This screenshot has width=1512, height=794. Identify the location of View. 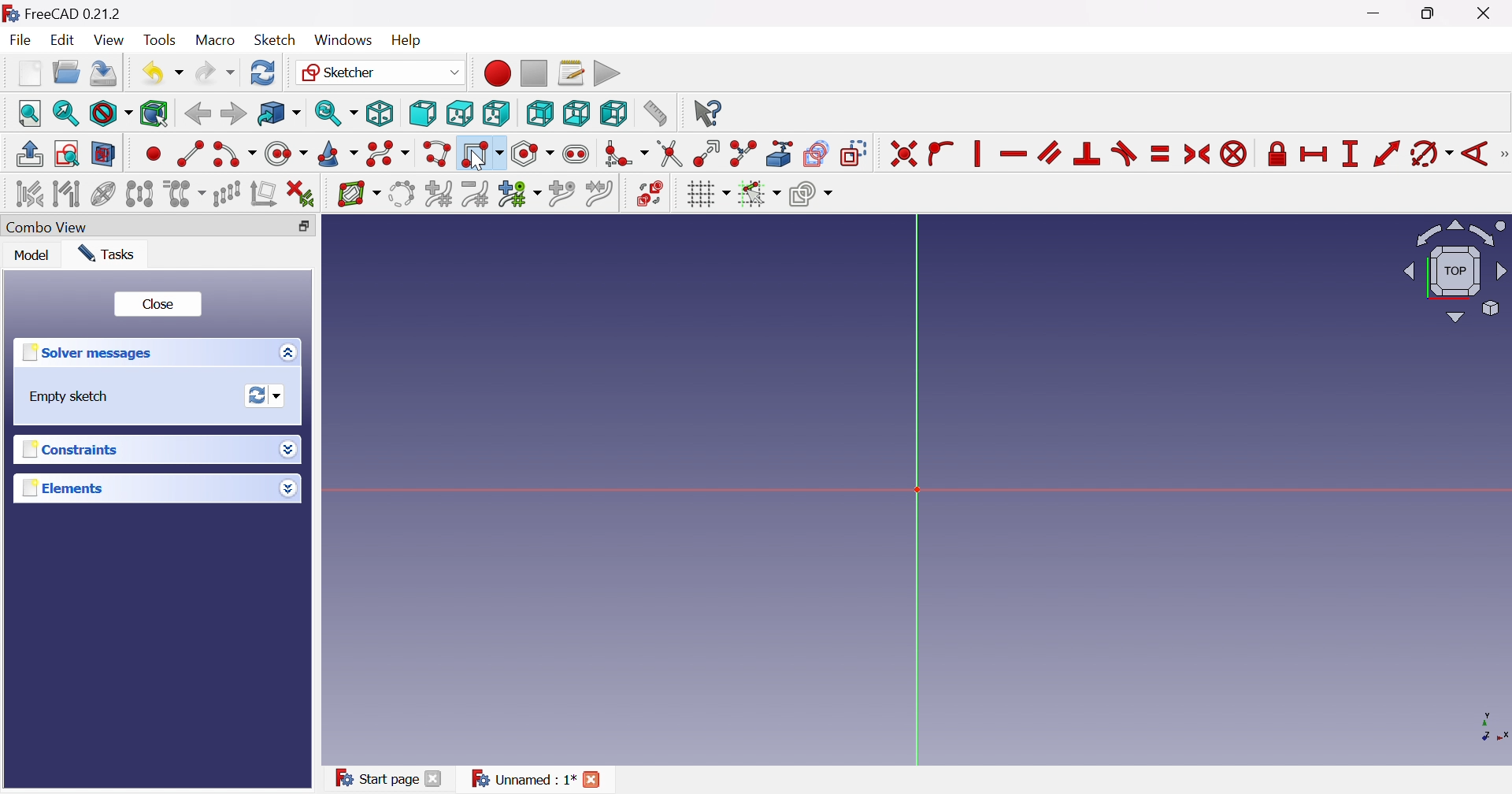
(110, 40).